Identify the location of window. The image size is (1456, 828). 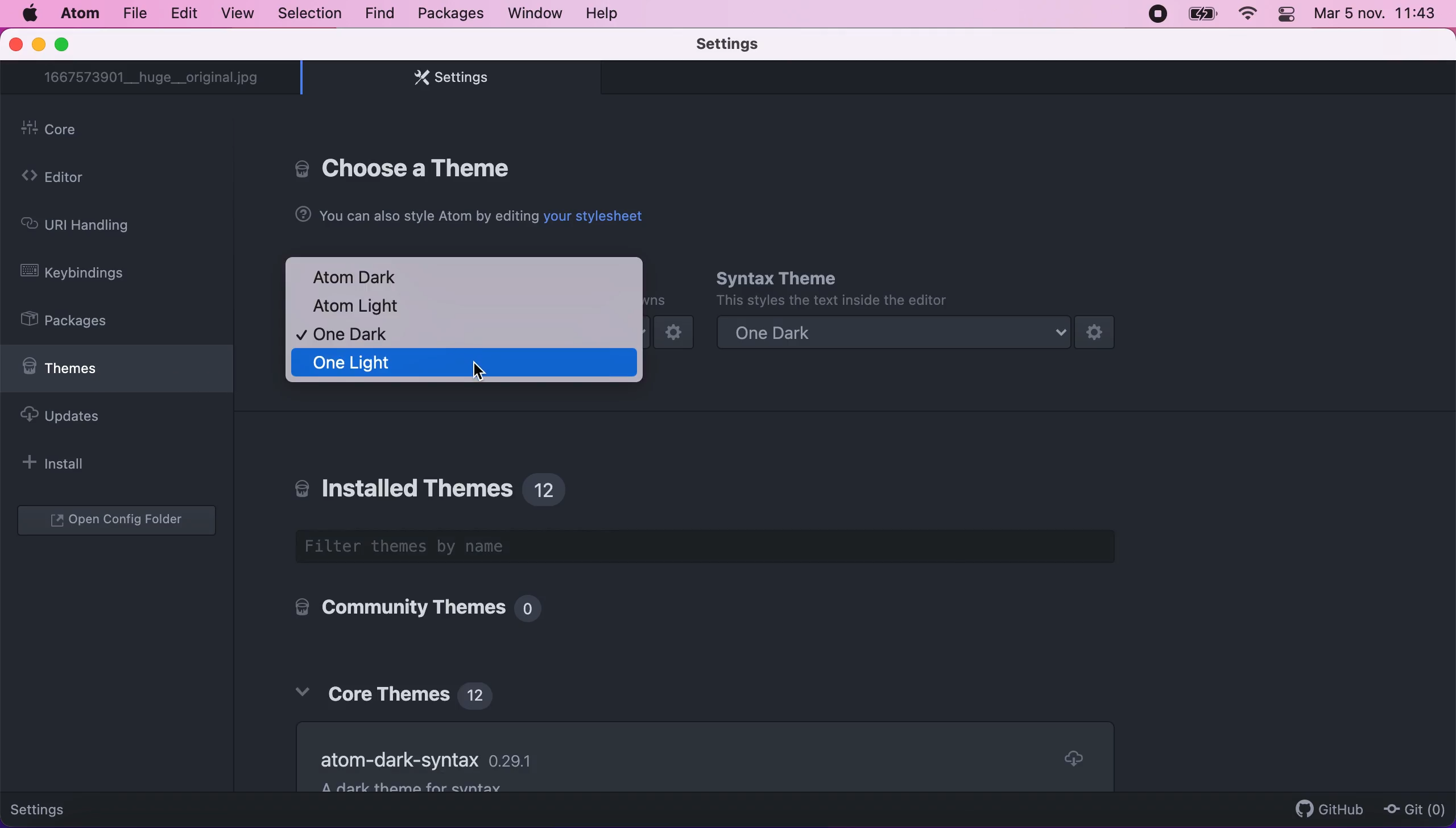
(537, 15).